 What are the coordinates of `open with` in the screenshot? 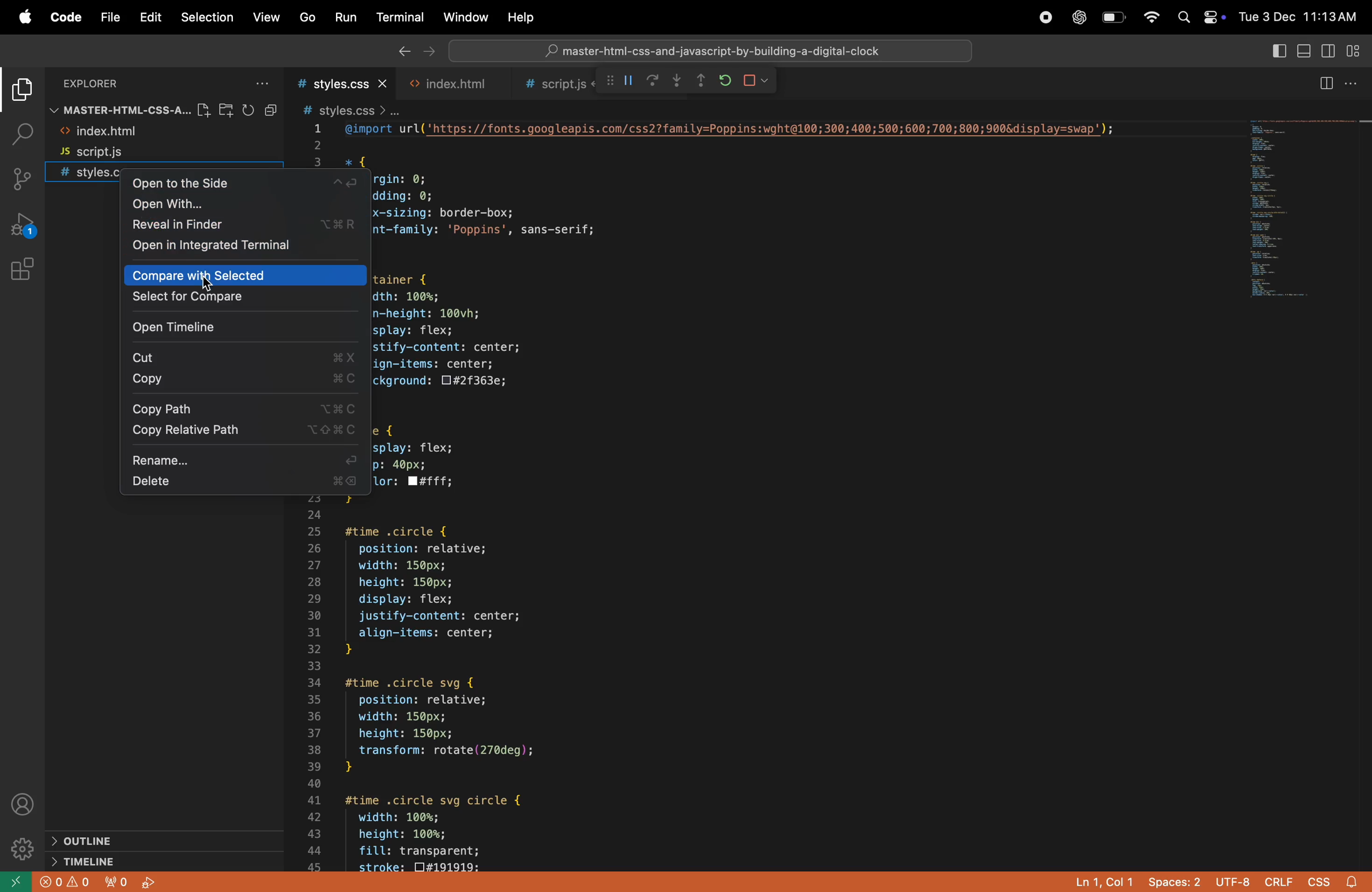 It's located at (243, 206).